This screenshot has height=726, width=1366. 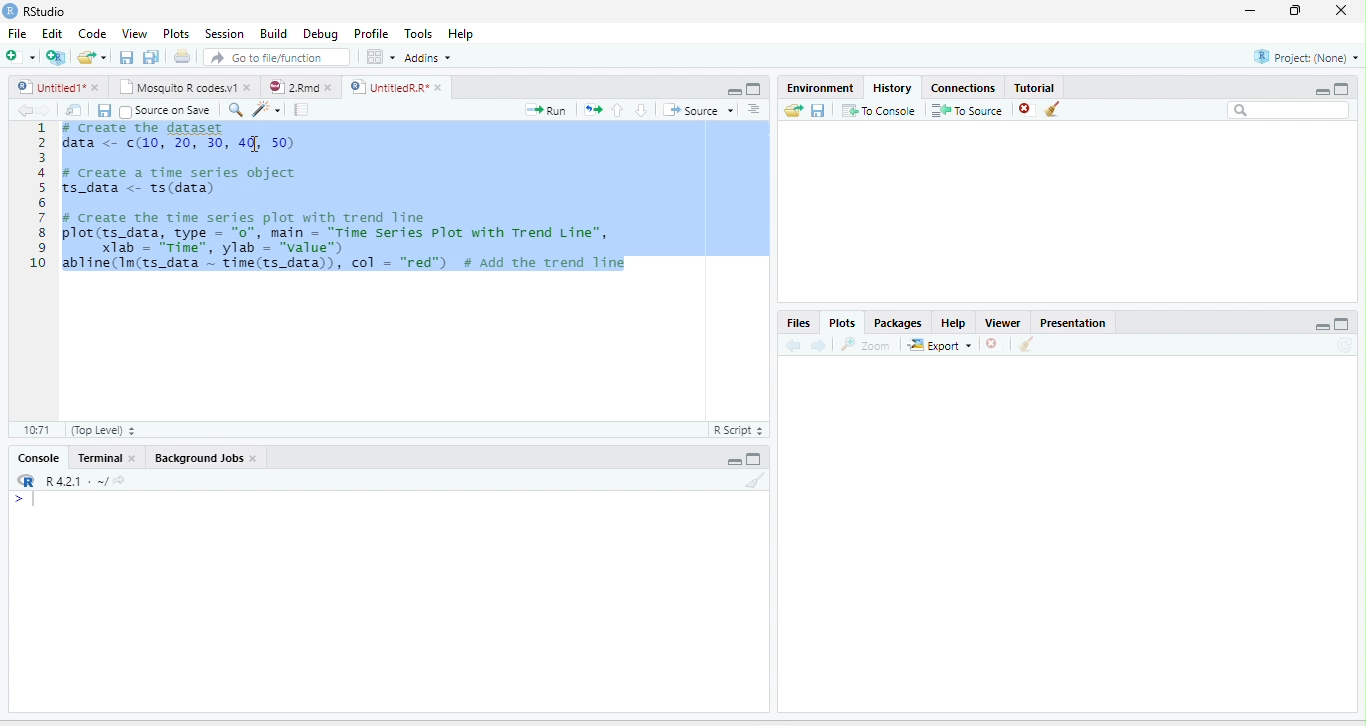 I want to click on Terminal, so click(x=97, y=458).